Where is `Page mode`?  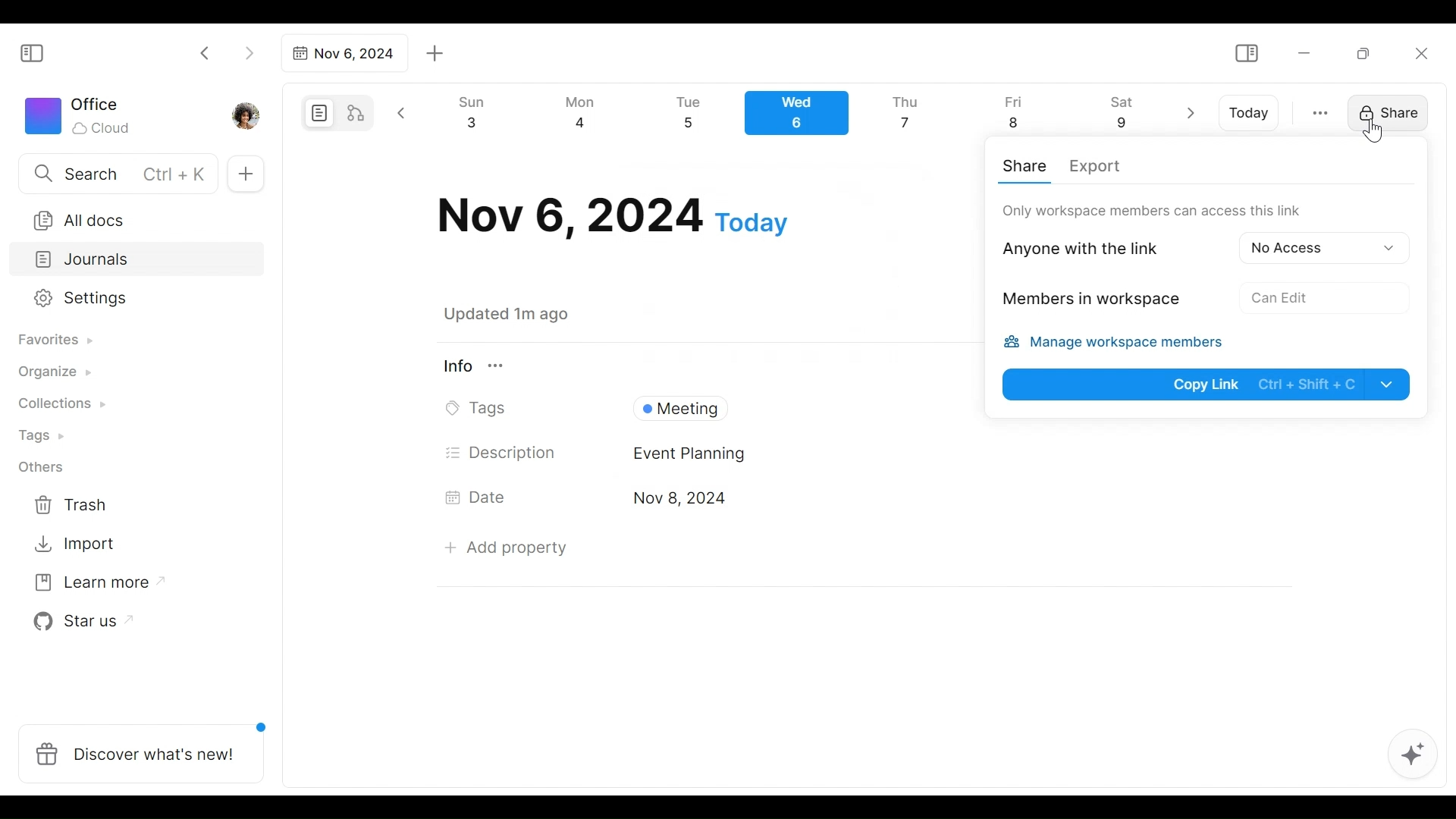 Page mode is located at coordinates (317, 113).